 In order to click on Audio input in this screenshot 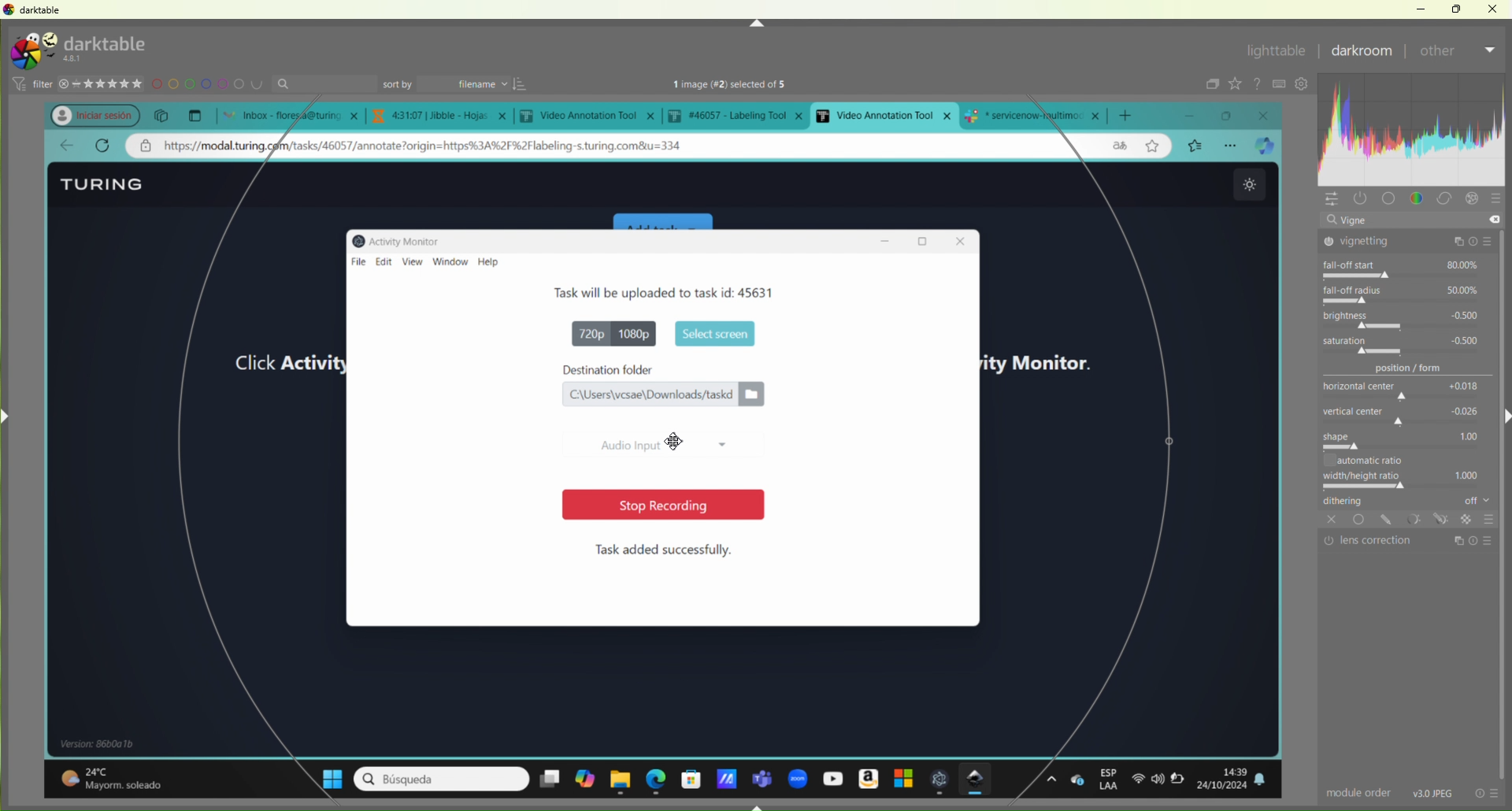, I will do `click(661, 442)`.